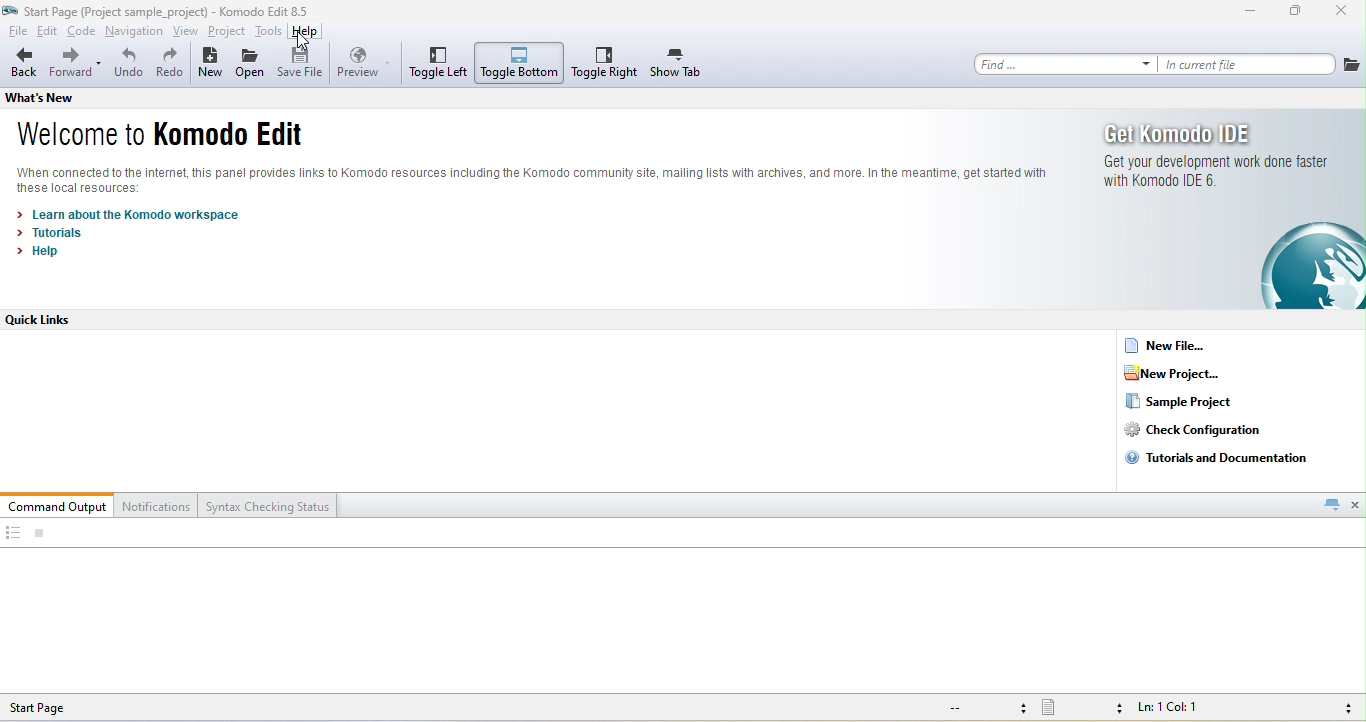 The width and height of the screenshot is (1366, 722). What do you see at coordinates (1296, 13) in the screenshot?
I see `maximize` at bounding box center [1296, 13].